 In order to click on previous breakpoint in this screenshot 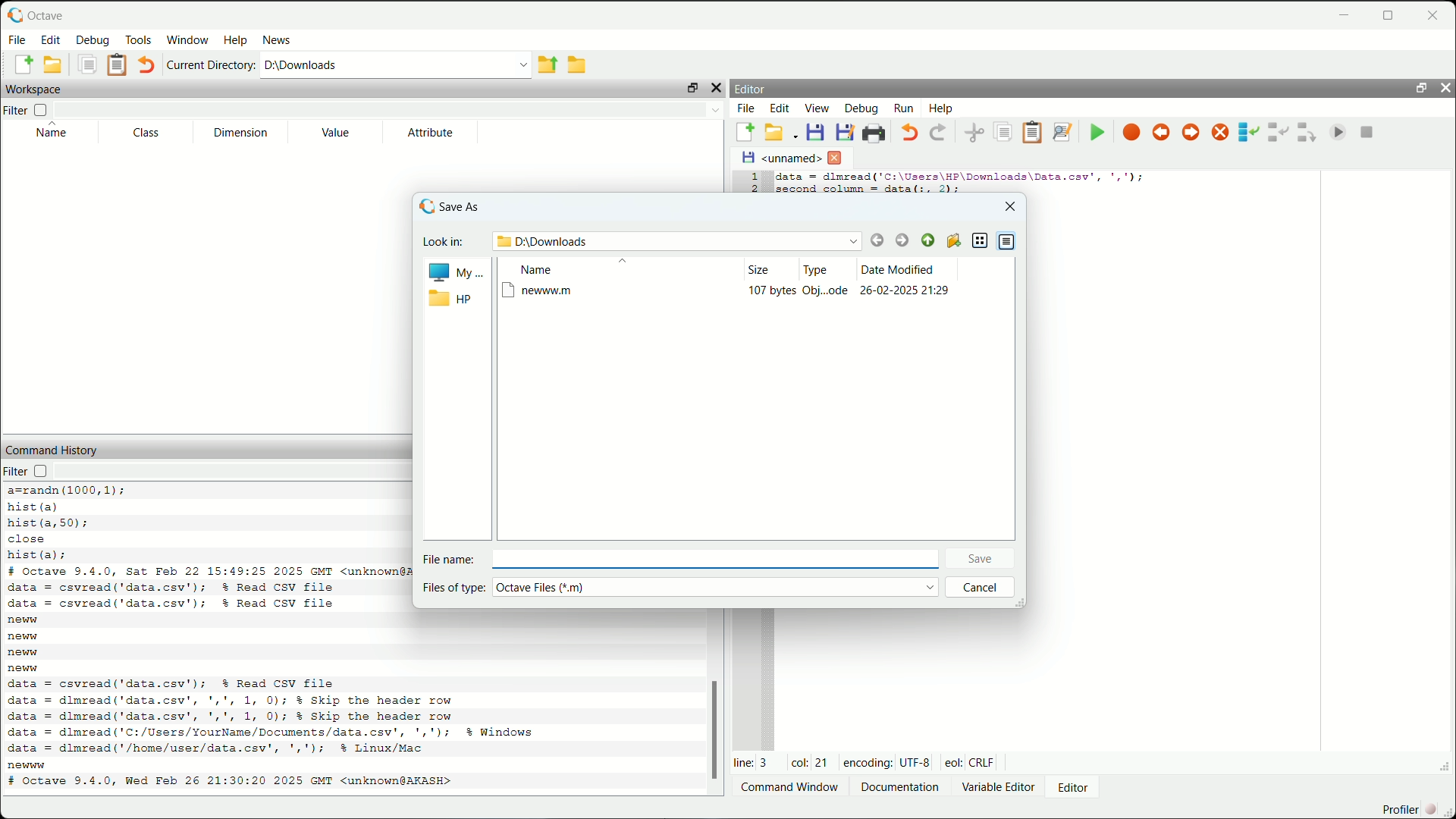, I will do `click(1159, 134)`.